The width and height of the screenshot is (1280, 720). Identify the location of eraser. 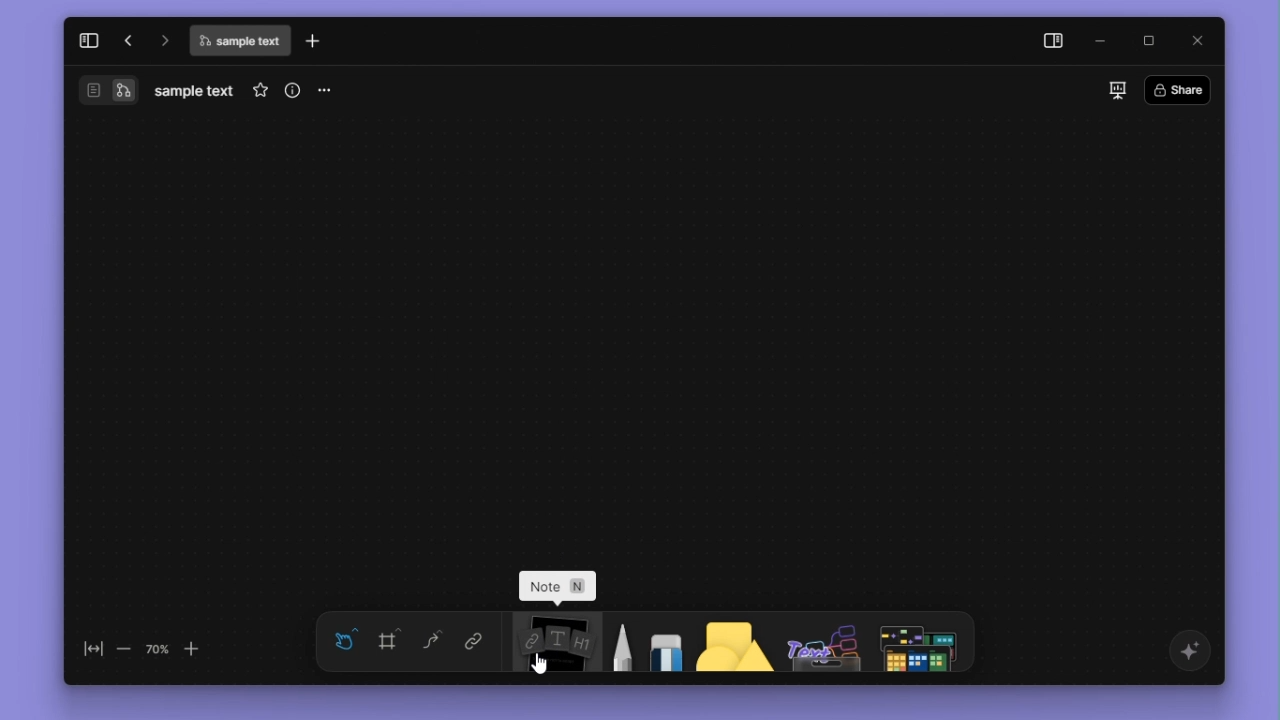
(662, 643).